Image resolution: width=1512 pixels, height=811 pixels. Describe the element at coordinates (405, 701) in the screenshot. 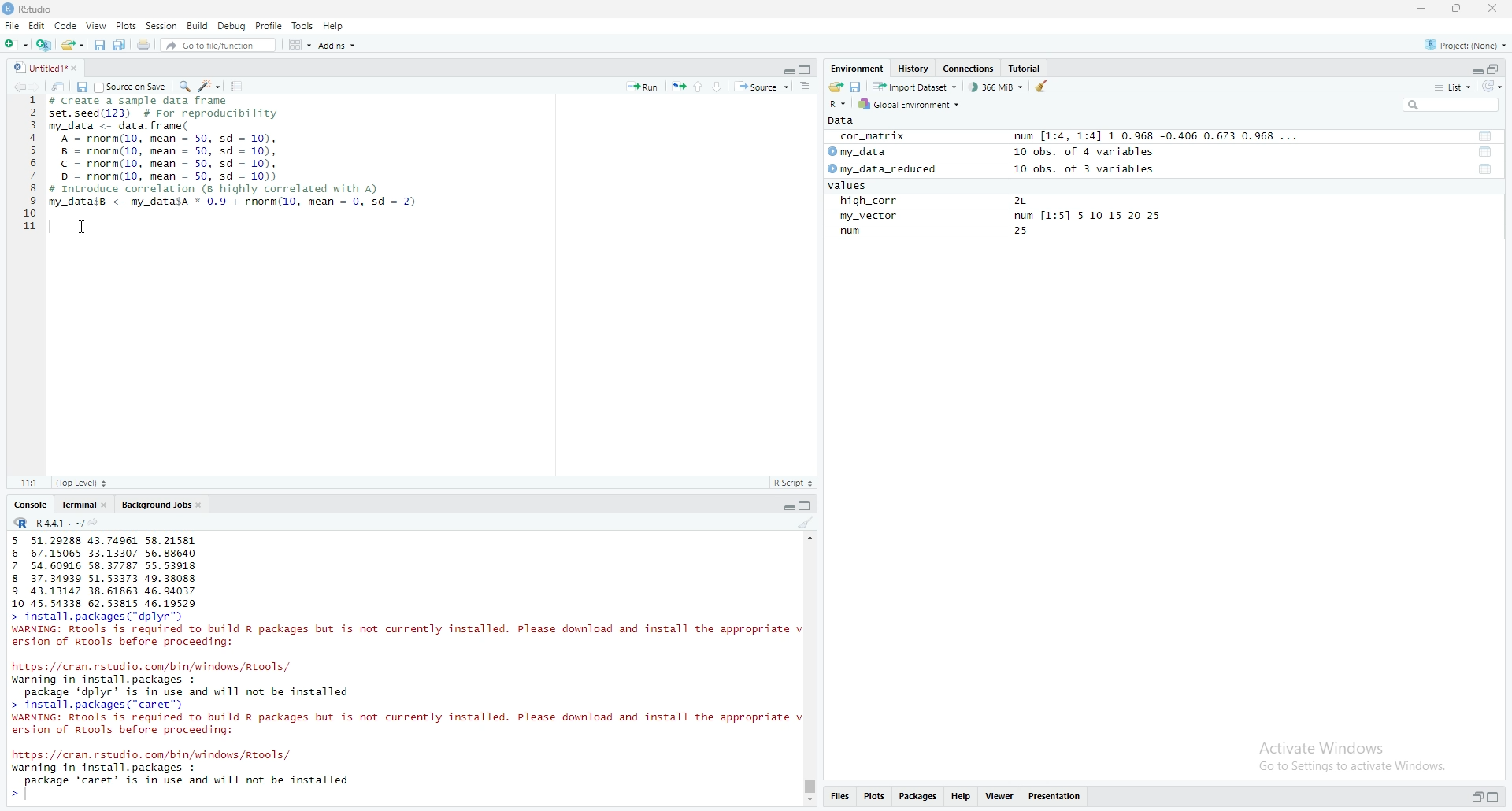

I see `https: //cran. rstudio. com/bin/windows /Rtools/
warning in install. packages :
package ‘dplyr’ is in use and will not be installed
> install. packages (“caret”)
WARNING: RTools is required to build R packages but is not currently installed. Please download and install the appropriate v
ersion of Rtools before proceeding:` at that location.